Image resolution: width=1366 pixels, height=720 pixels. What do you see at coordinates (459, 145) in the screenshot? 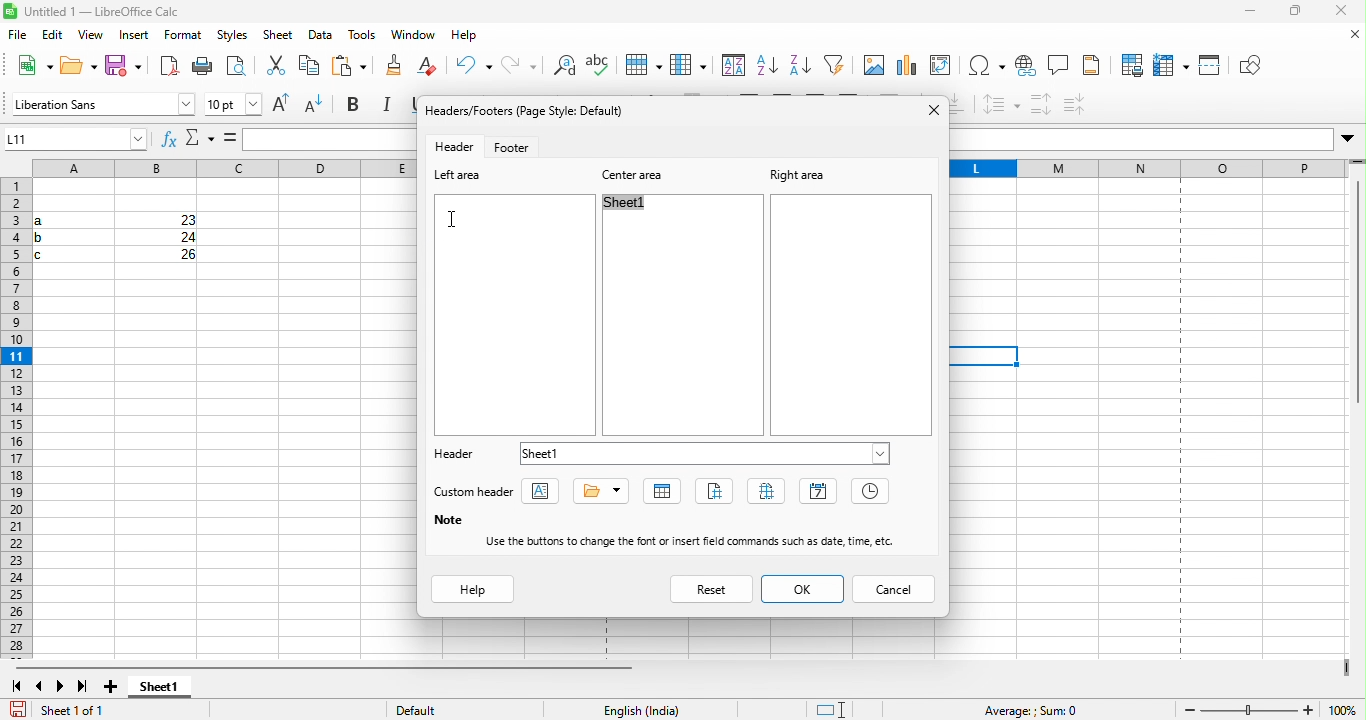
I see `header` at bounding box center [459, 145].